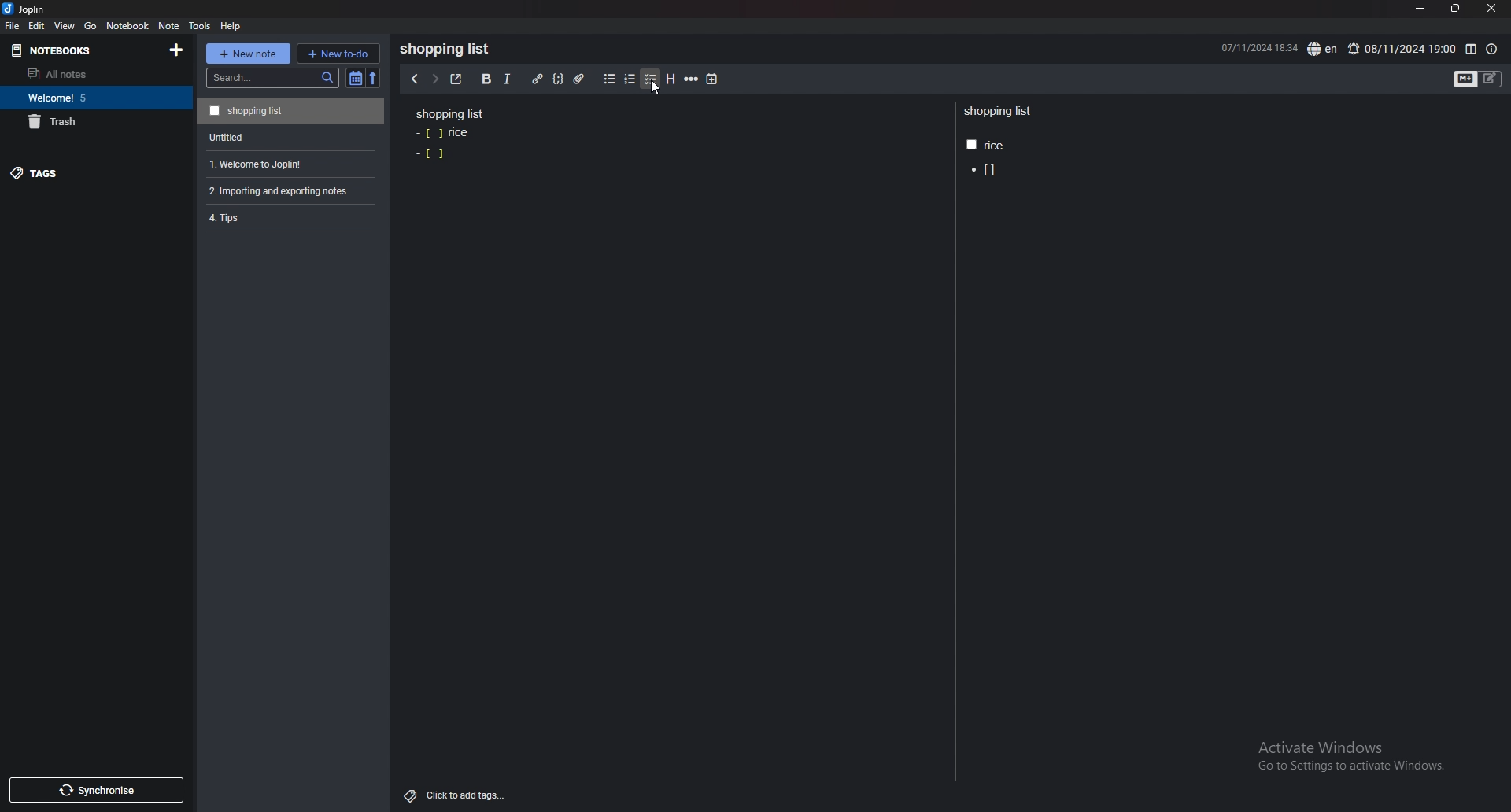 The width and height of the screenshot is (1511, 812). Describe the element at coordinates (671, 79) in the screenshot. I see `heading` at that location.